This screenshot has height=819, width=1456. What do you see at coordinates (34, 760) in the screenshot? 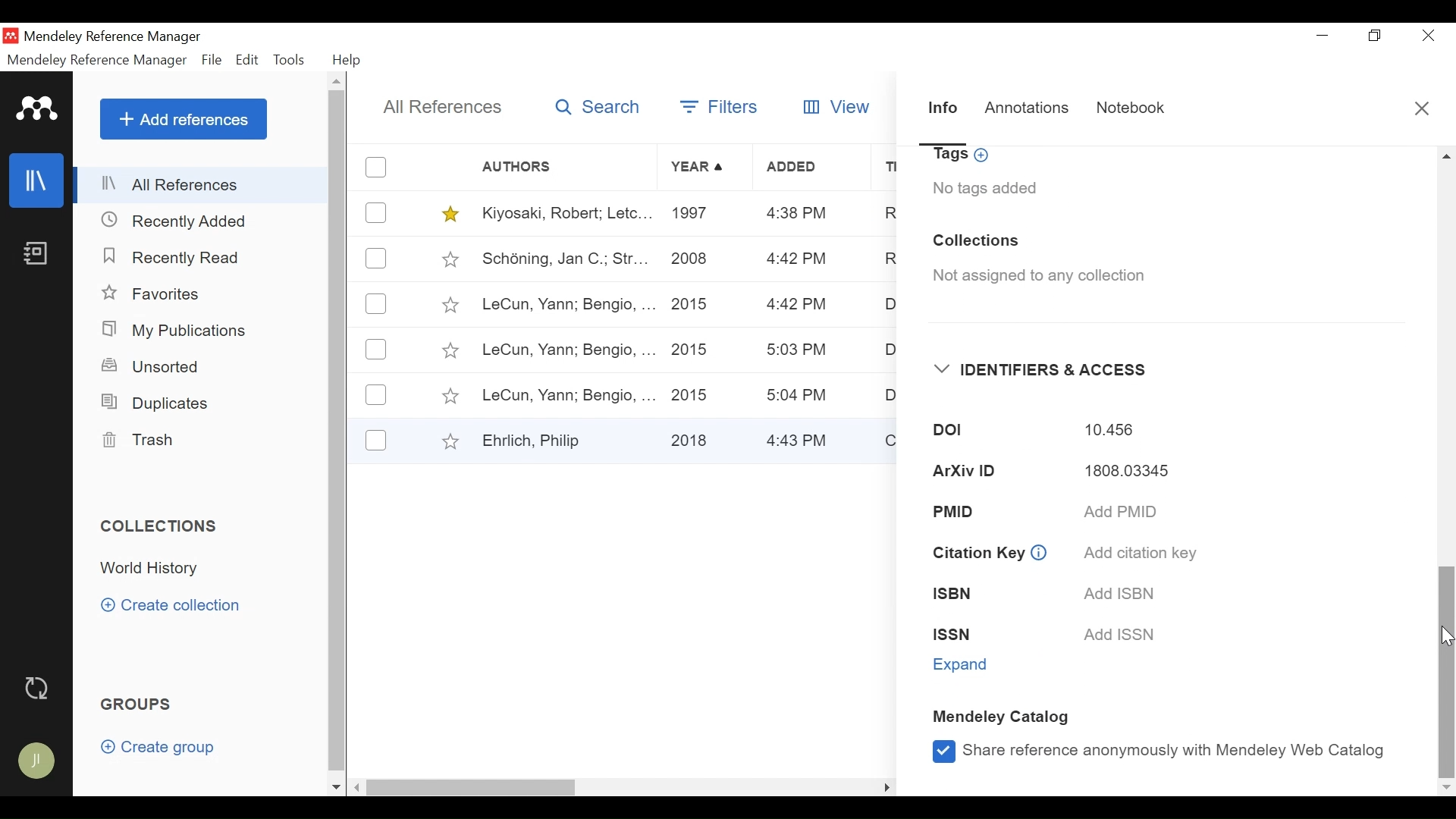
I see `Avatar` at bounding box center [34, 760].